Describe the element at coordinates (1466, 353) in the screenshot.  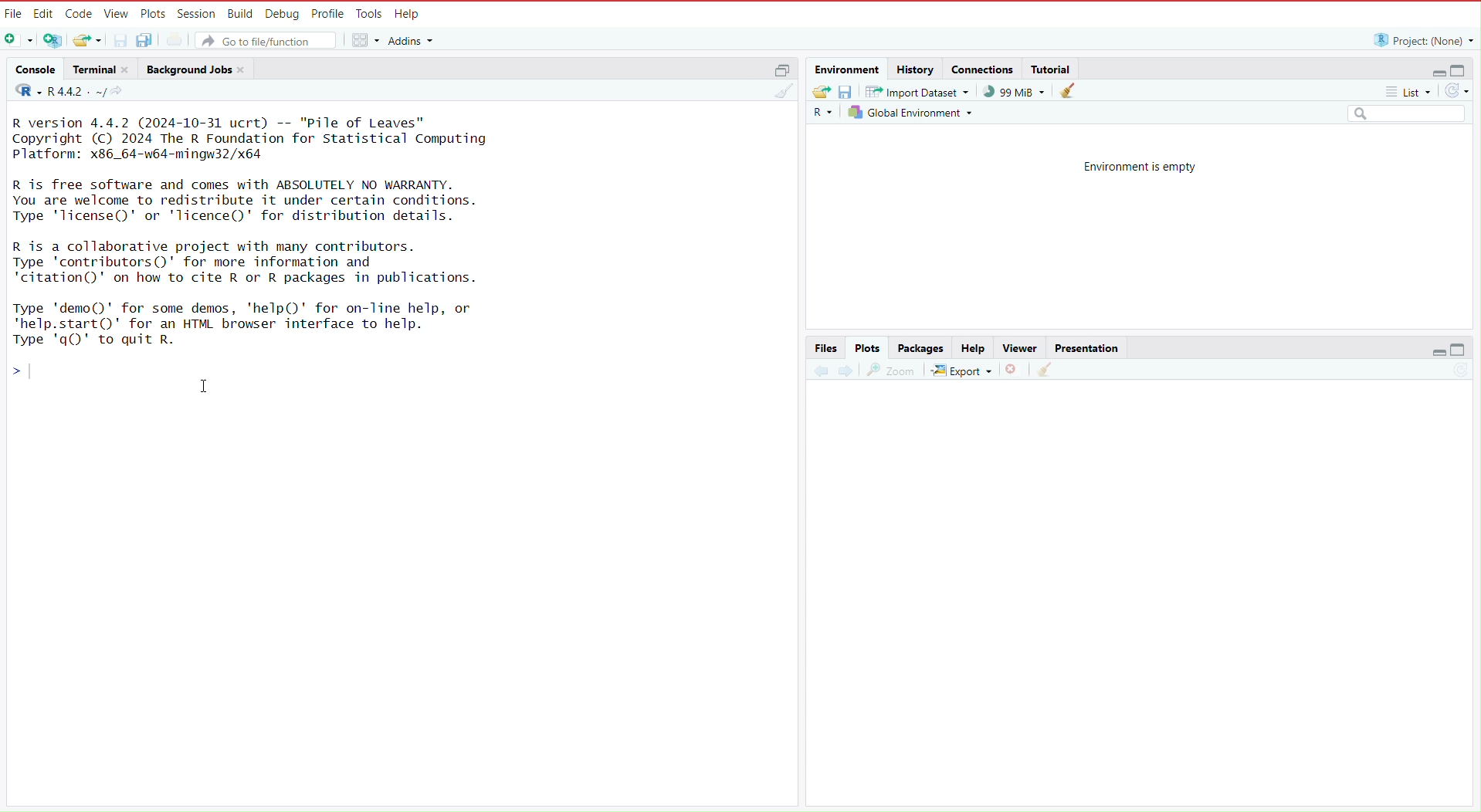
I see `maximize` at that location.